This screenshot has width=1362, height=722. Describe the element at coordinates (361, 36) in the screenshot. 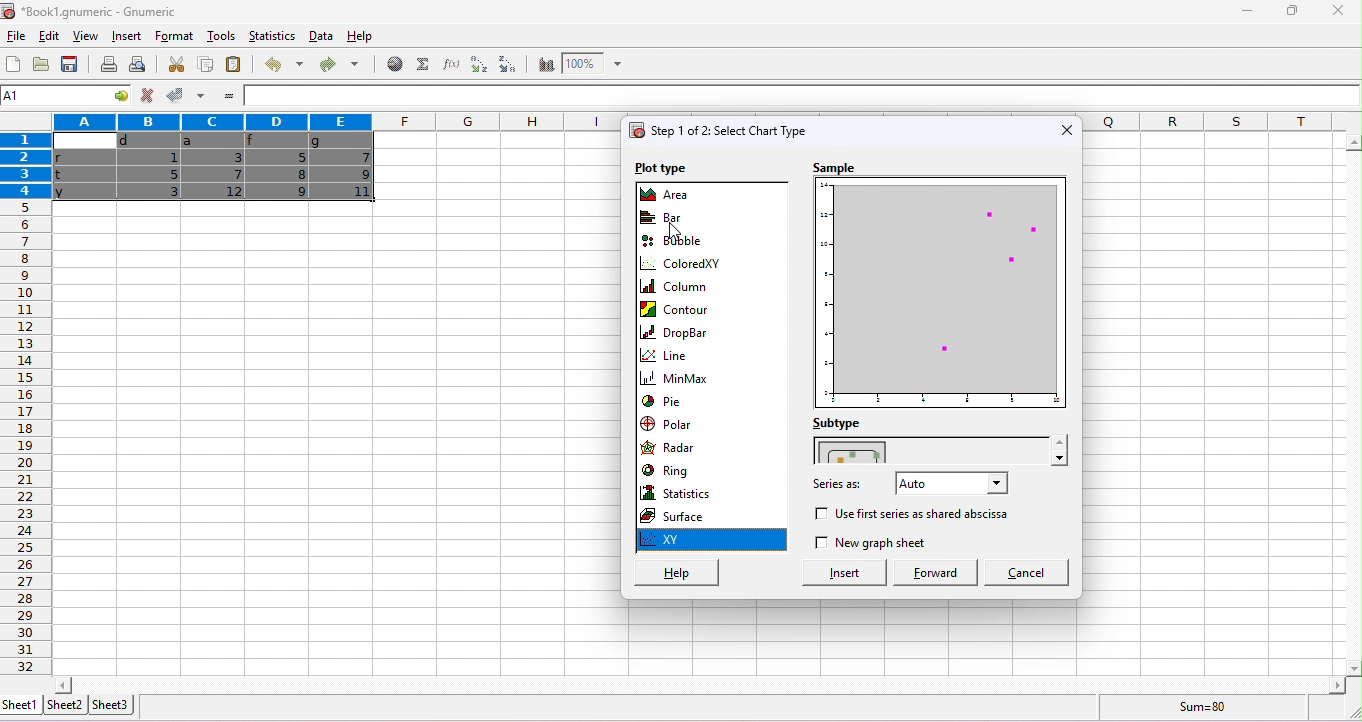

I see `help` at that location.